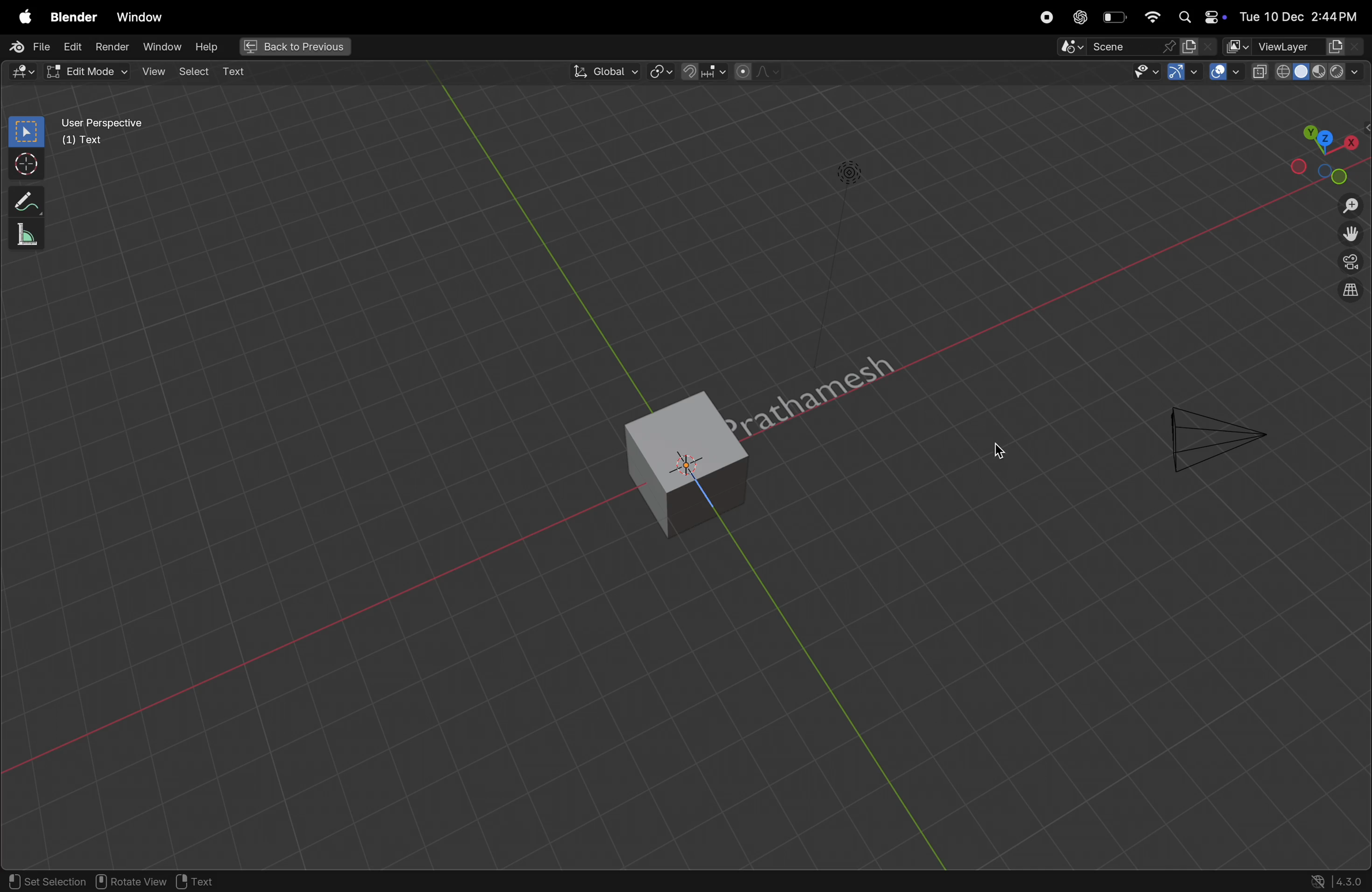 The height and width of the screenshot is (892, 1372). Describe the element at coordinates (603, 72) in the screenshot. I see `Global` at that location.